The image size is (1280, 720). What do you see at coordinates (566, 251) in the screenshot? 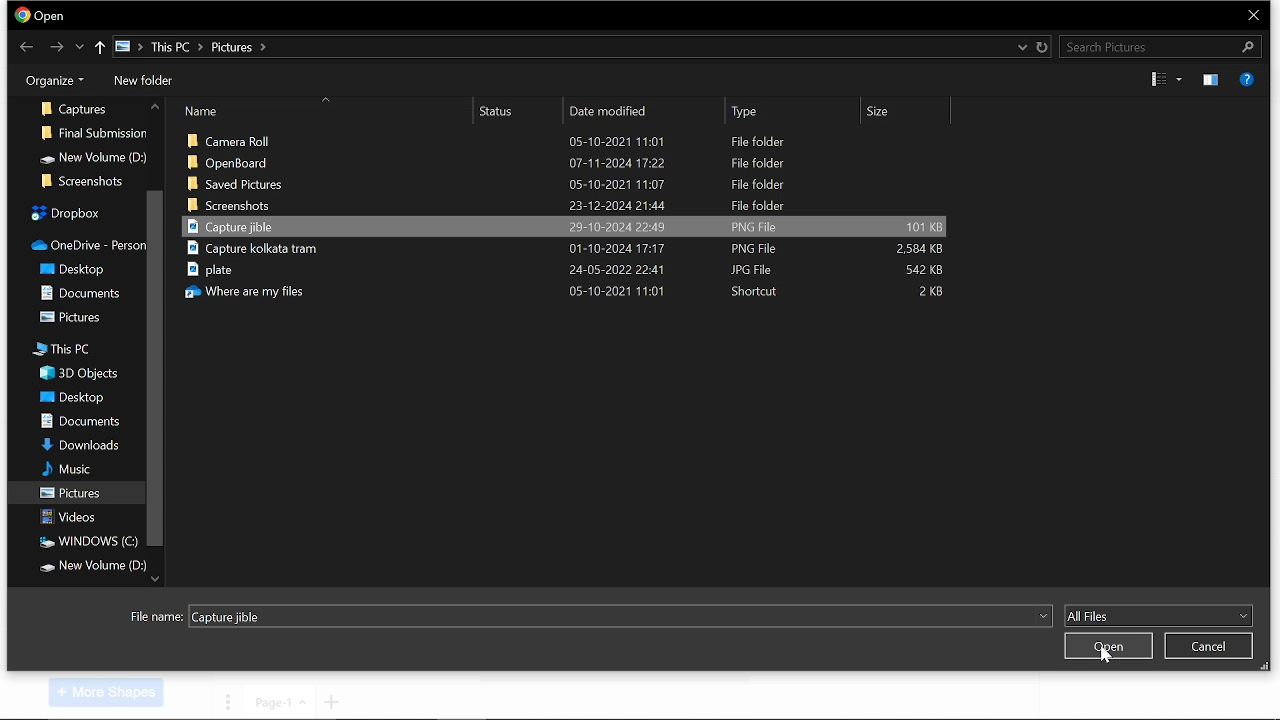
I see `files` at bounding box center [566, 251].